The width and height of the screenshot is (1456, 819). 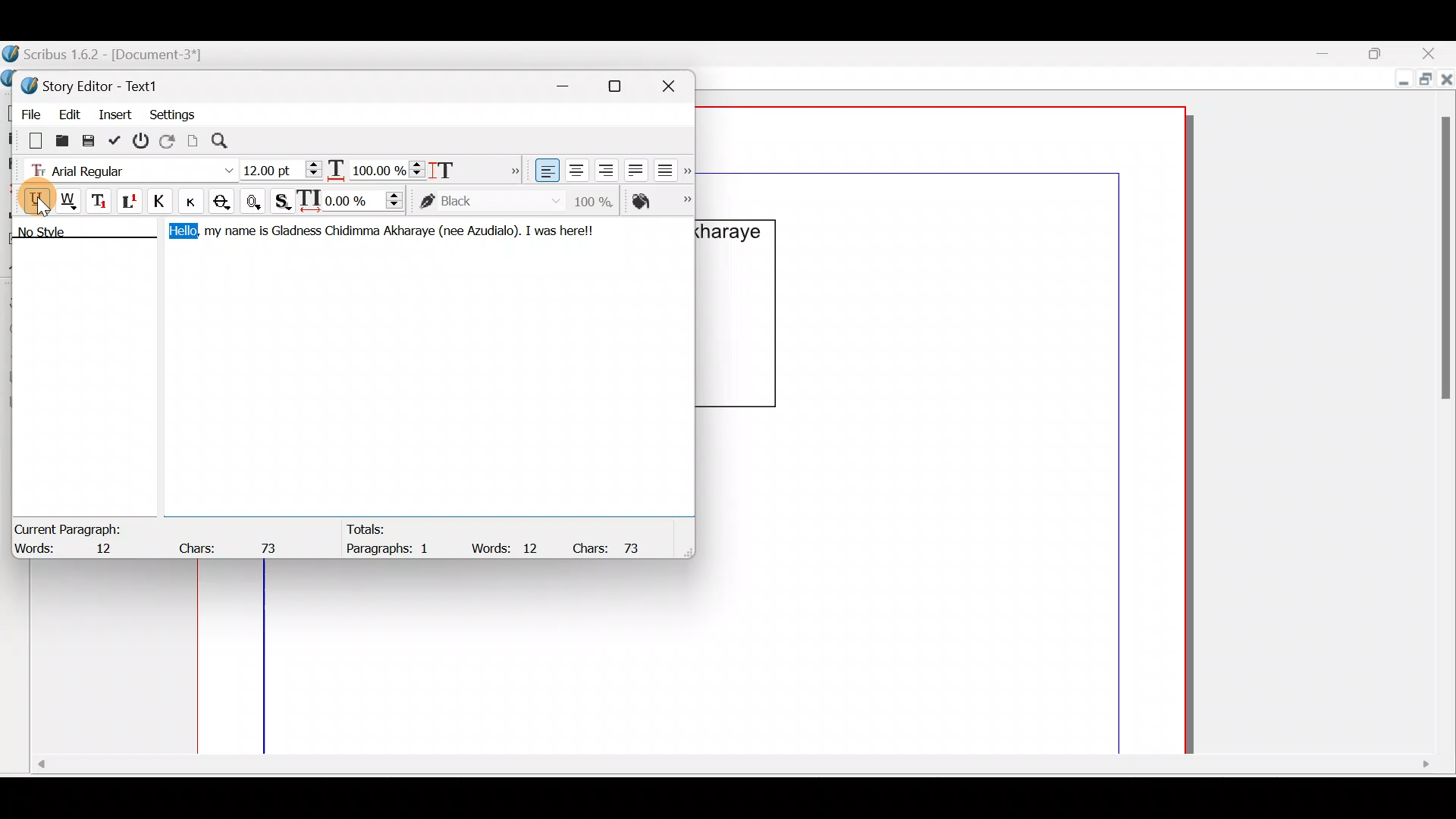 I want to click on Words: 12, so click(x=508, y=548).